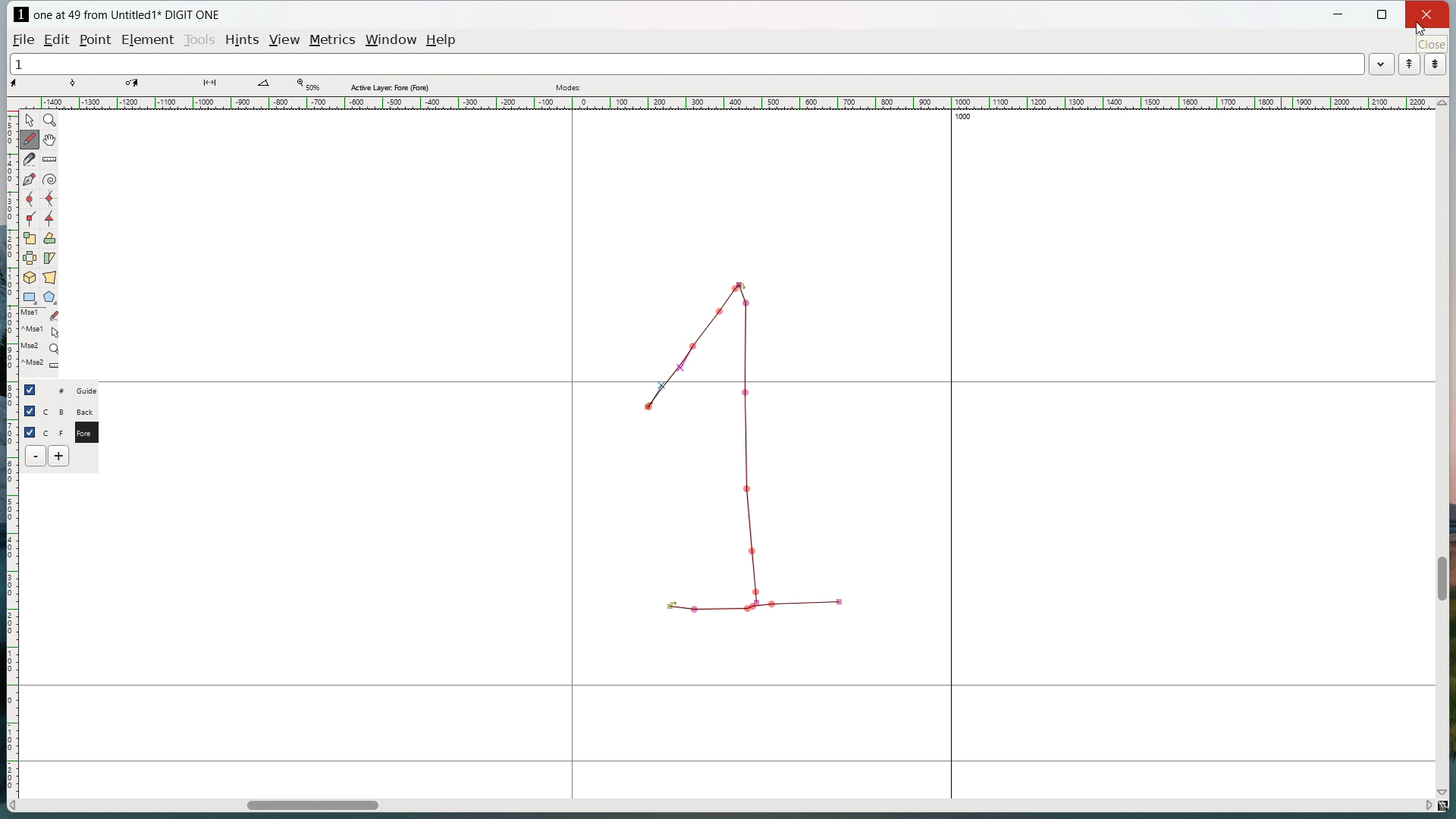  Describe the element at coordinates (31, 139) in the screenshot. I see `draw freehand curve ` at that location.